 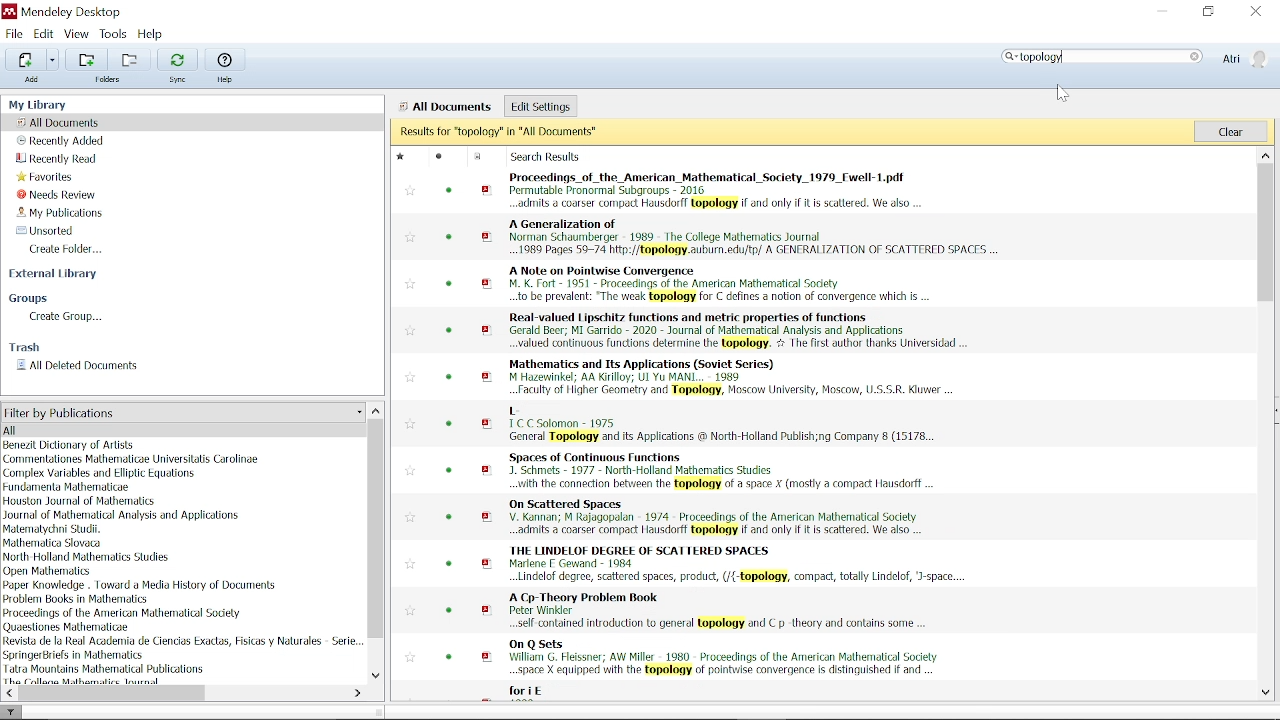 What do you see at coordinates (62, 213) in the screenshot?
I see `My publications` at bounding box center [62, 213].